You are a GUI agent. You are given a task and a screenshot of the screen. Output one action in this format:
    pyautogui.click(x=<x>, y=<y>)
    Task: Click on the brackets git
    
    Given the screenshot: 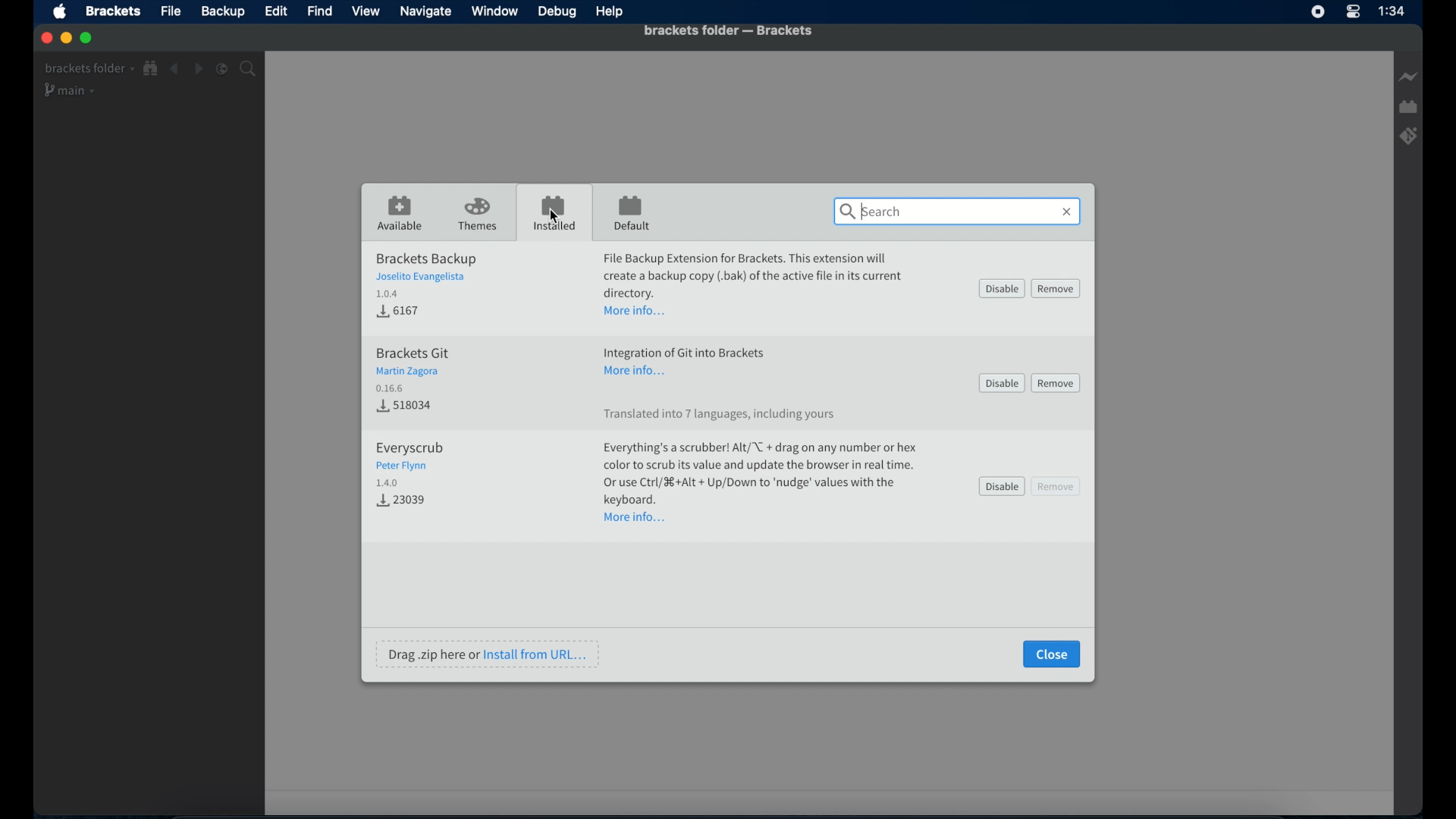 What is the action you would take?
    pyautogui.click(x=416, y=370)
    